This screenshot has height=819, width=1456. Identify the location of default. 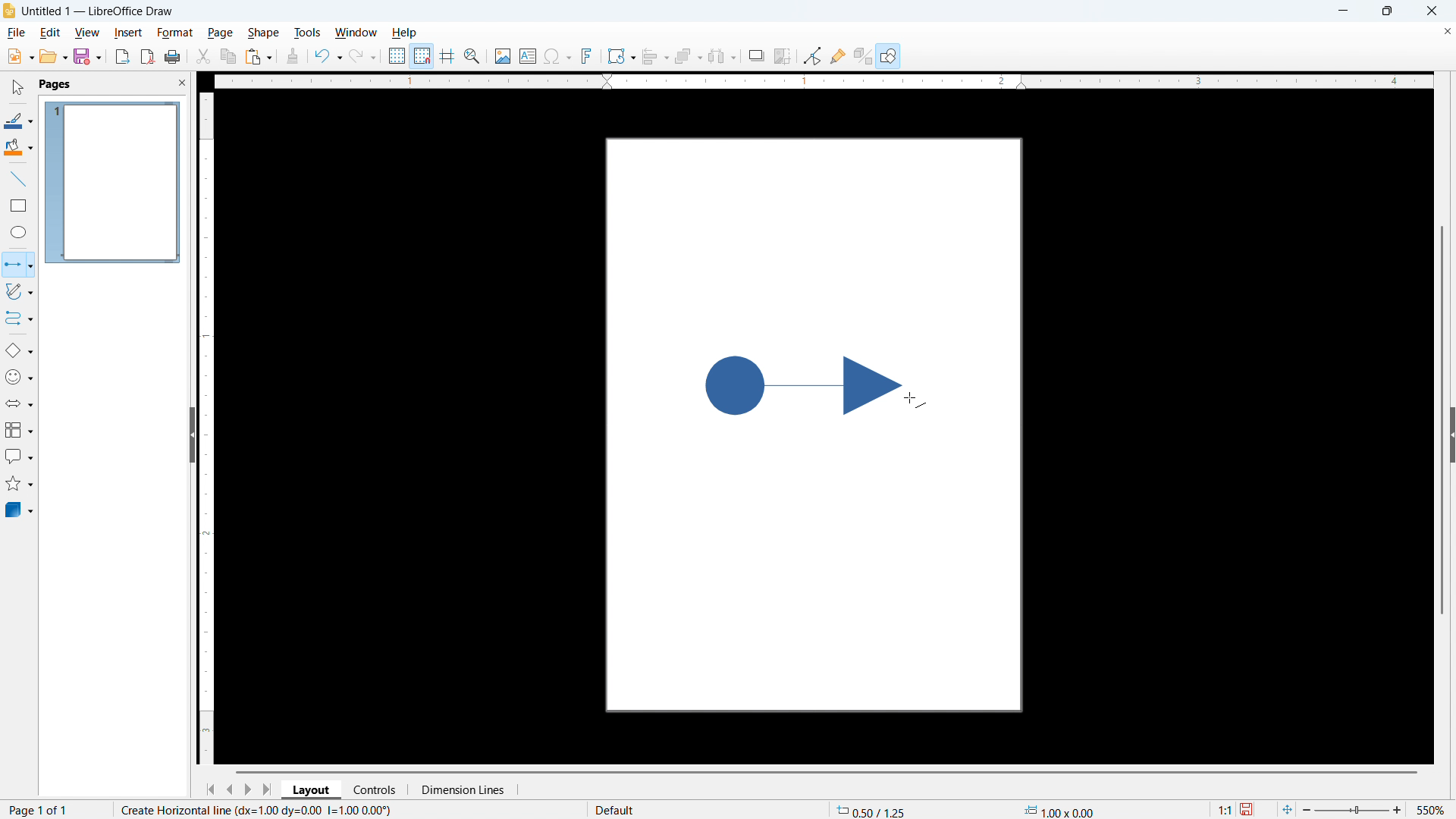
(618, 810).